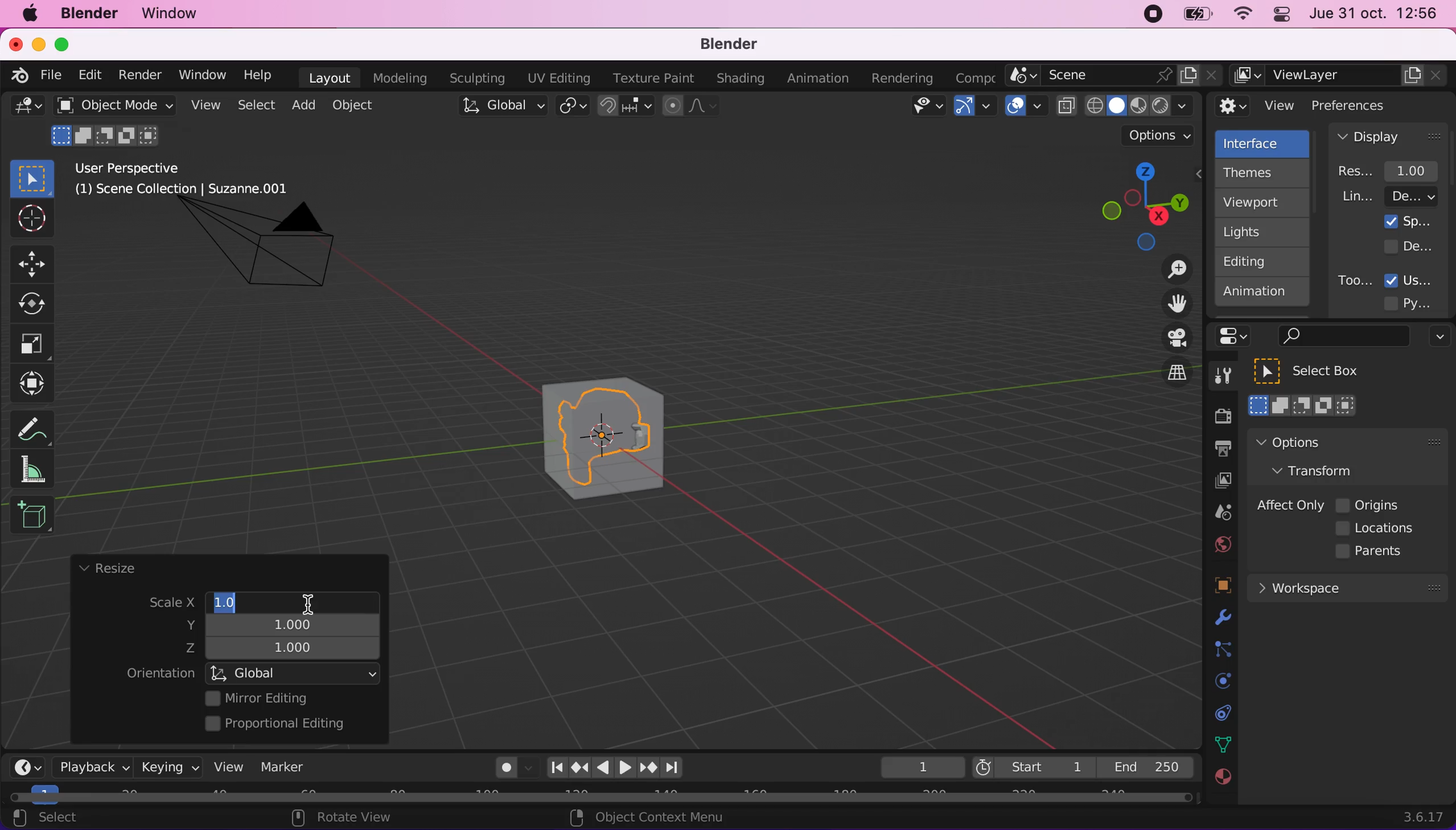 Image resolution: width=1456 pixels, height=830 pixels. What do you see at coordinates (580, 767) in the screenshot?
I see `jump to keyframe` at bounding box center [580, 767].